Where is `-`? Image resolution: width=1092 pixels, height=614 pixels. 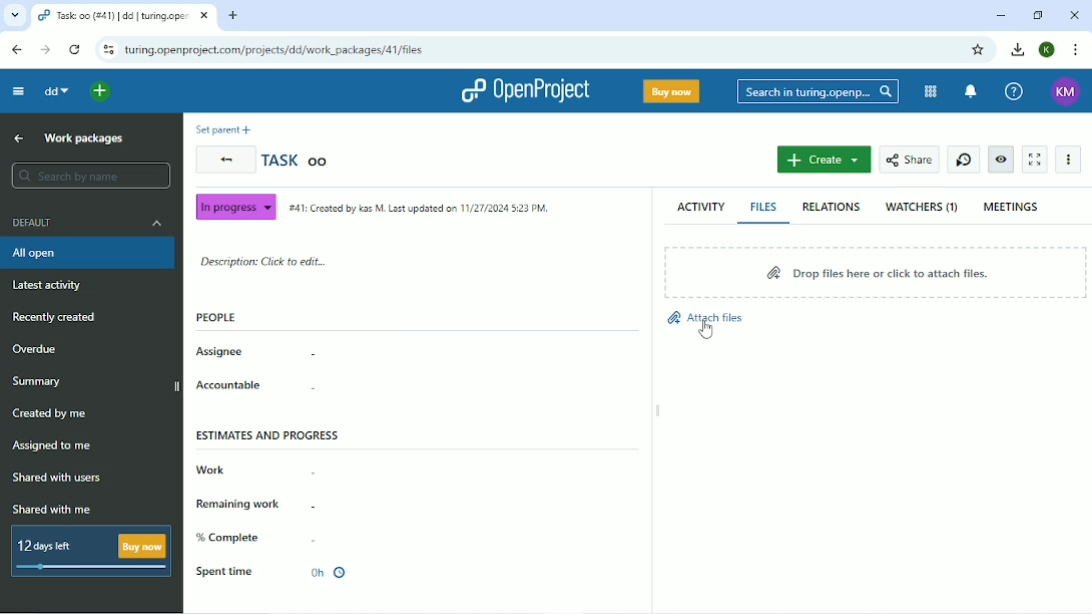 - is located at coordinates (318, 469).